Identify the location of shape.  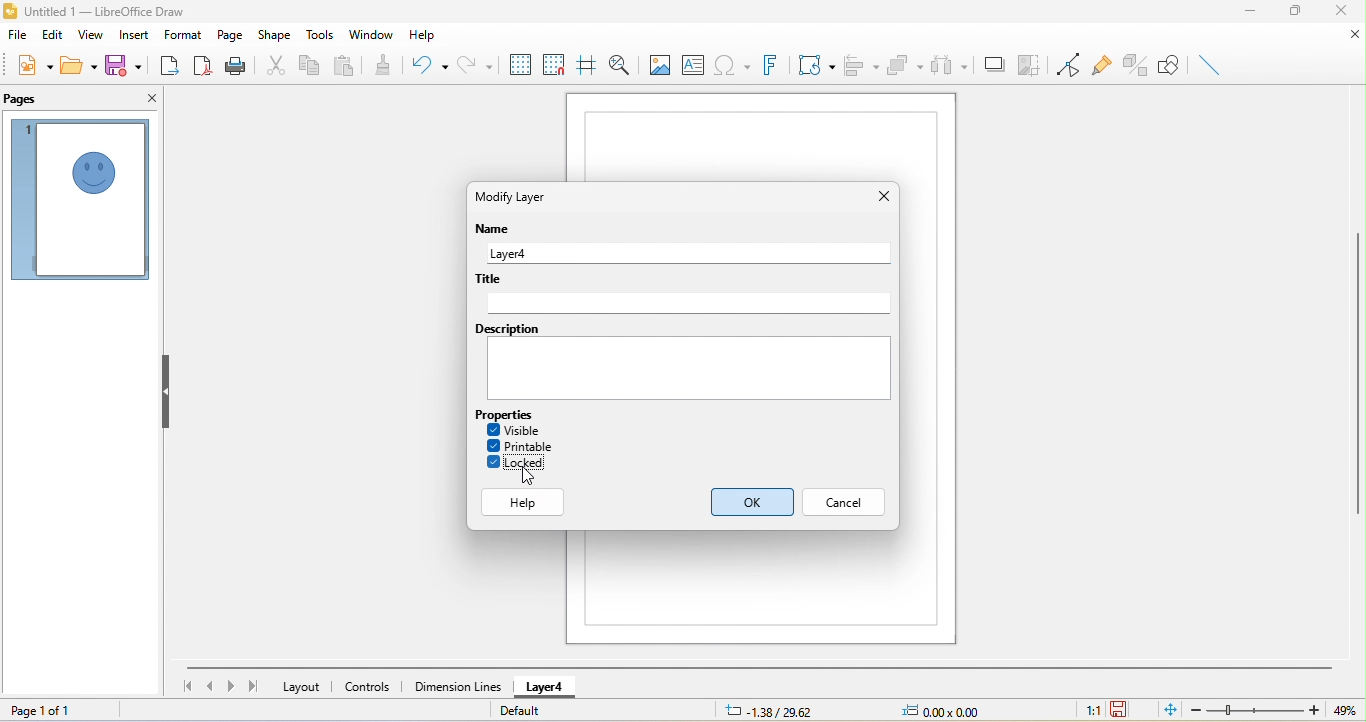
(274, 37).